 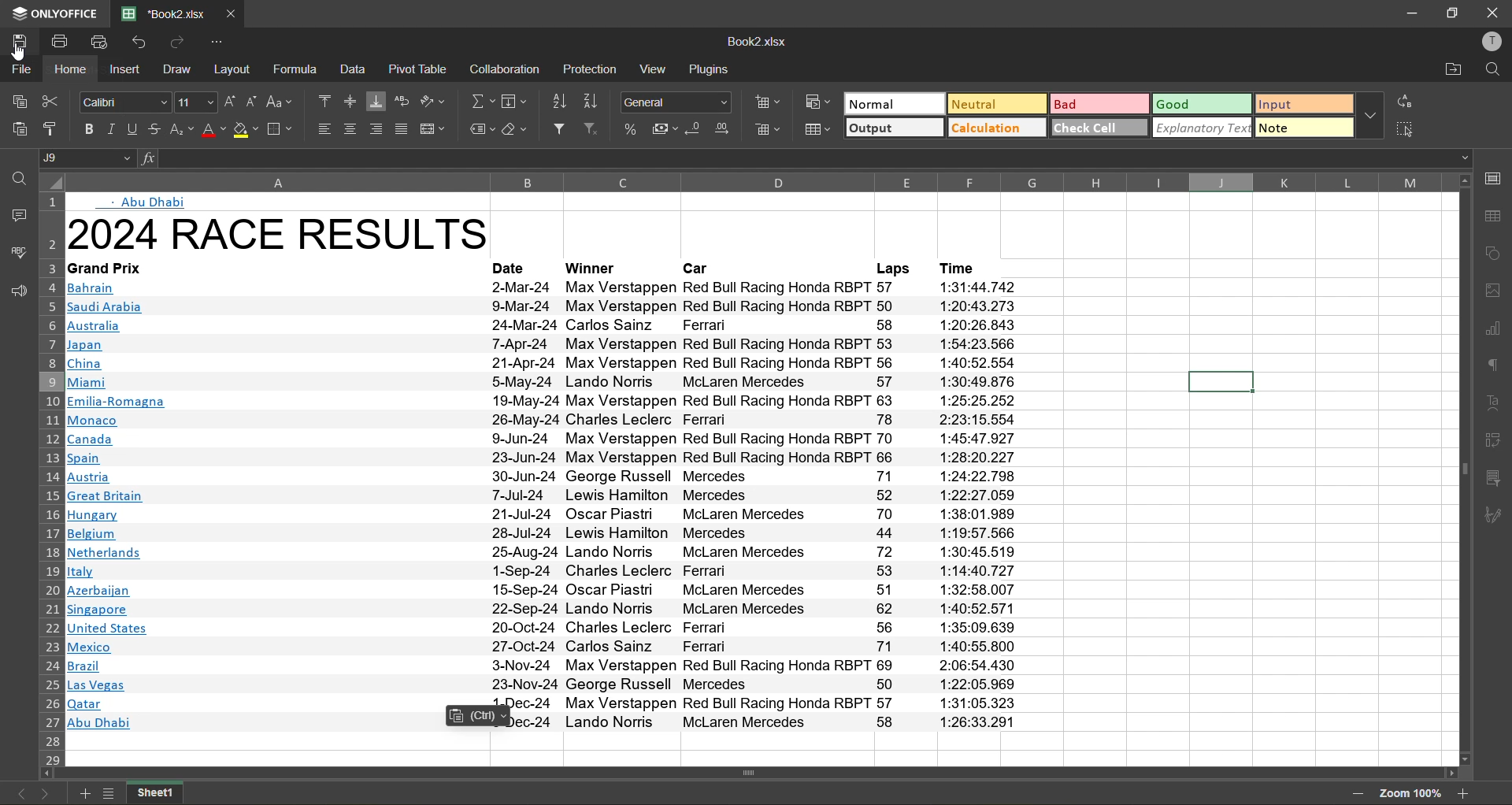 What do you see at coordinates (56, 100) in the screenshot?
I see `cut` at bounding box center [56, 100].